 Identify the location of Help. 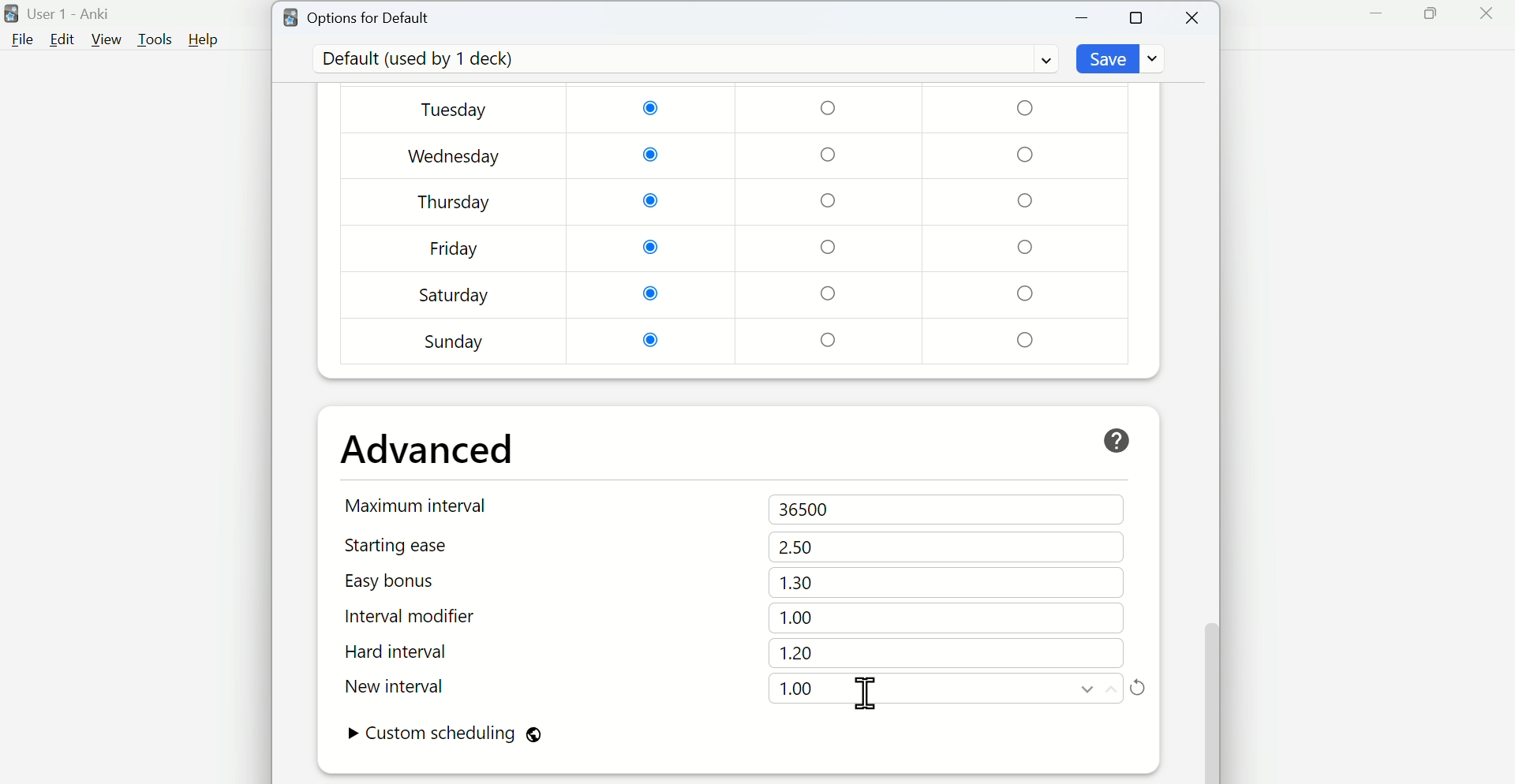
(204, 39).